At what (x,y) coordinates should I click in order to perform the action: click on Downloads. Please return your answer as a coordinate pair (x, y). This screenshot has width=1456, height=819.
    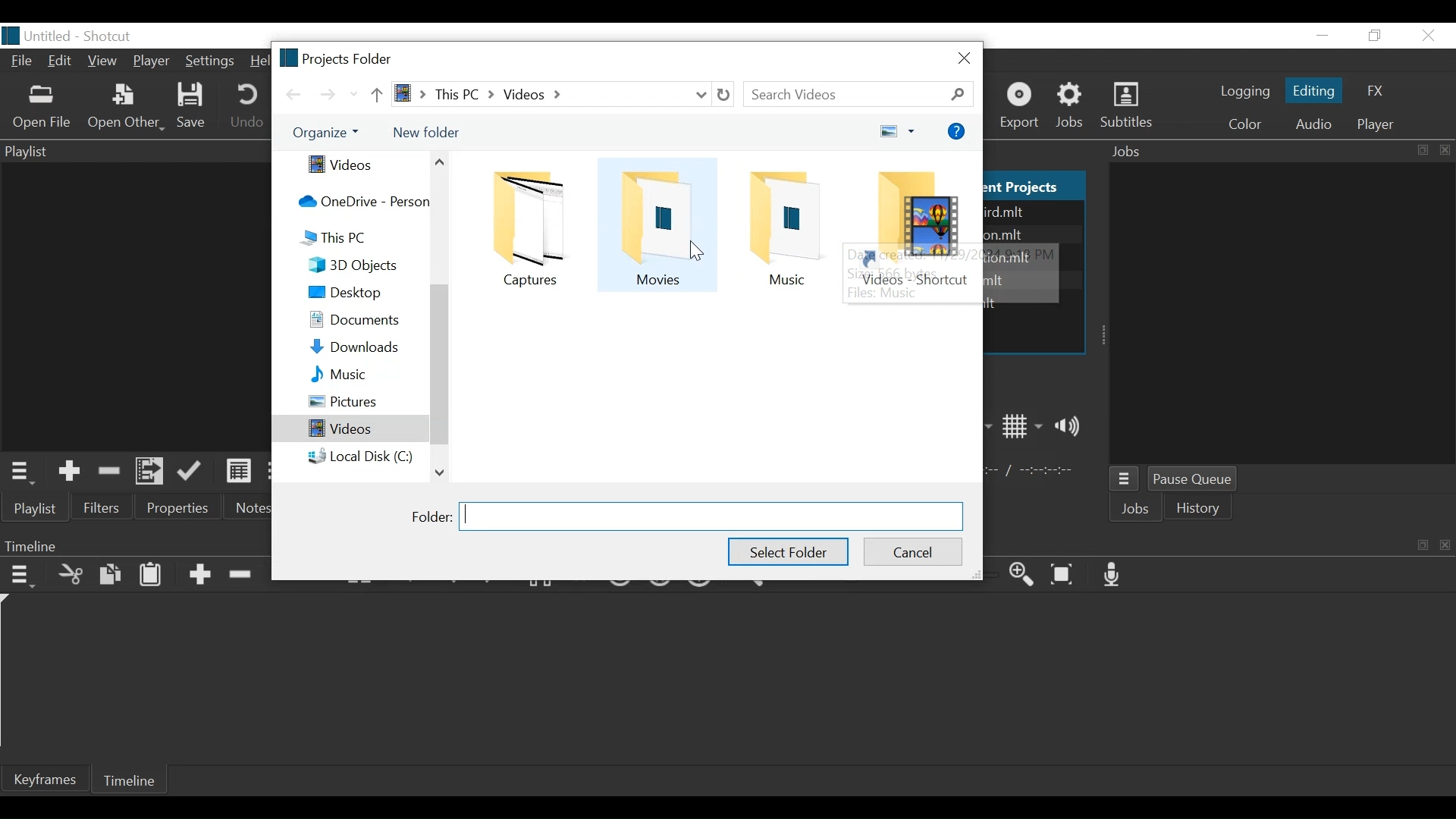
    Looking at the image, I should click on (362, 347).